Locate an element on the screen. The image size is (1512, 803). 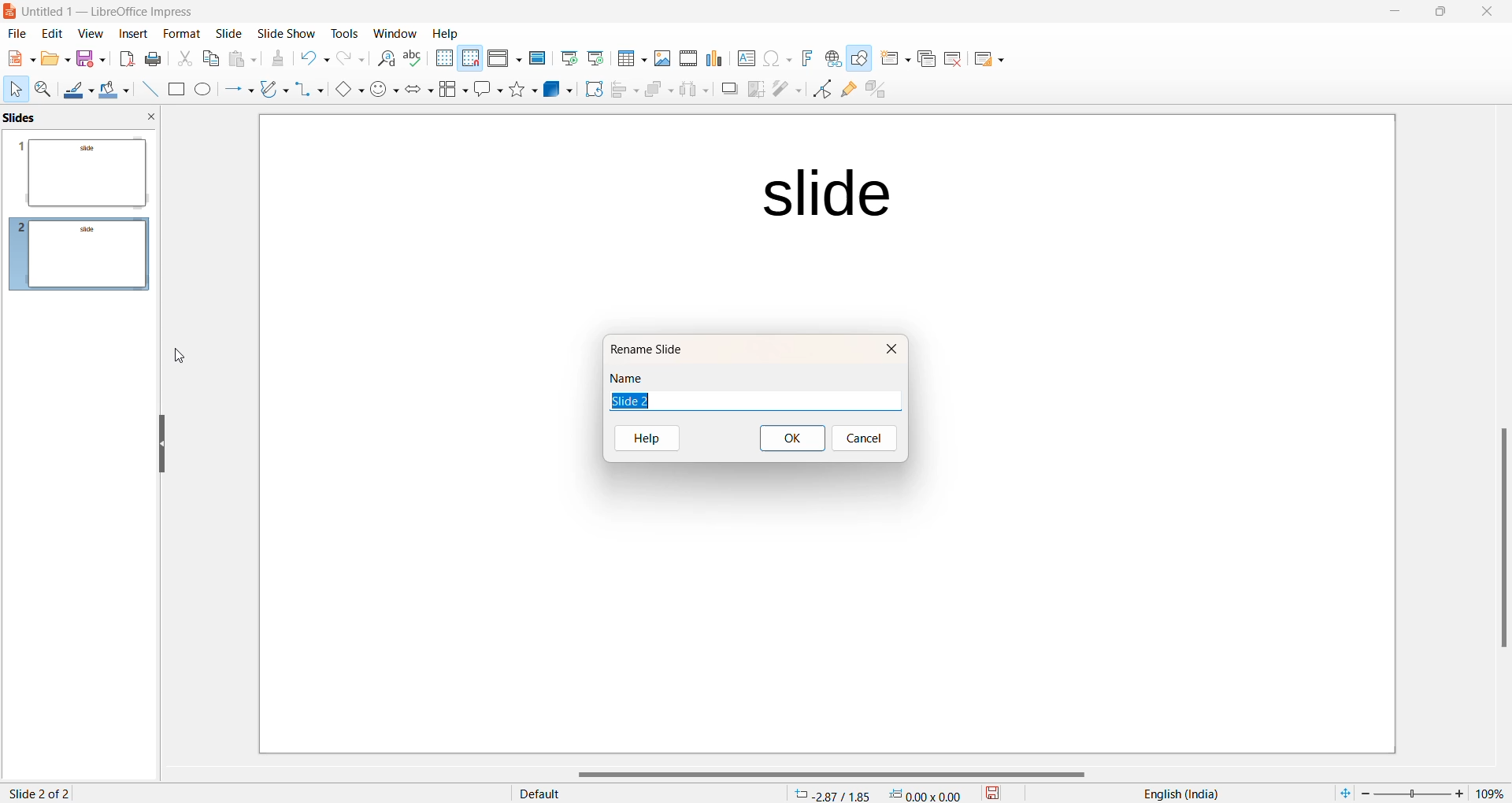
ok is located at coordinates (791, 439).